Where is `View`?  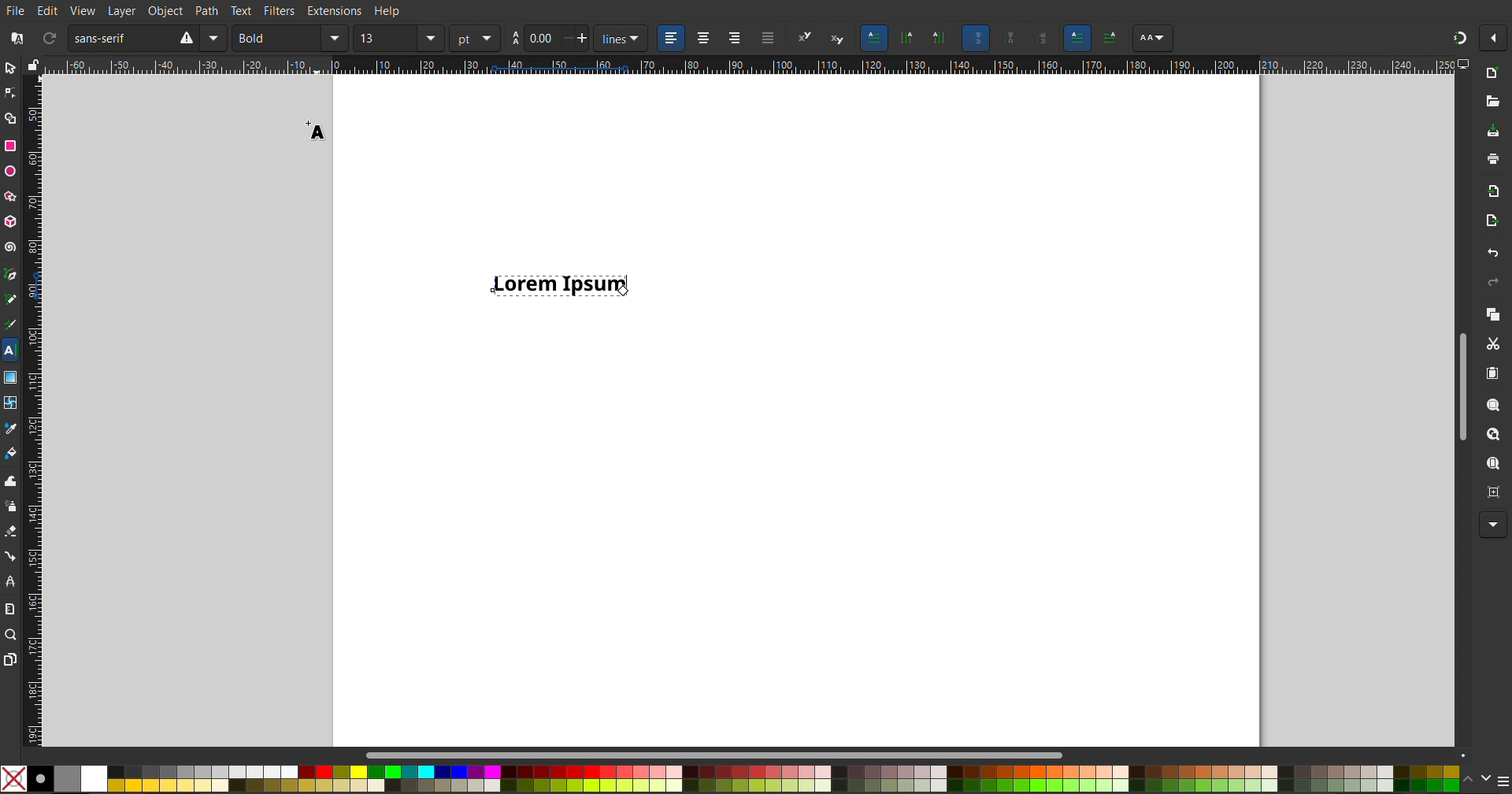
View is located at coordinates (83, 9).